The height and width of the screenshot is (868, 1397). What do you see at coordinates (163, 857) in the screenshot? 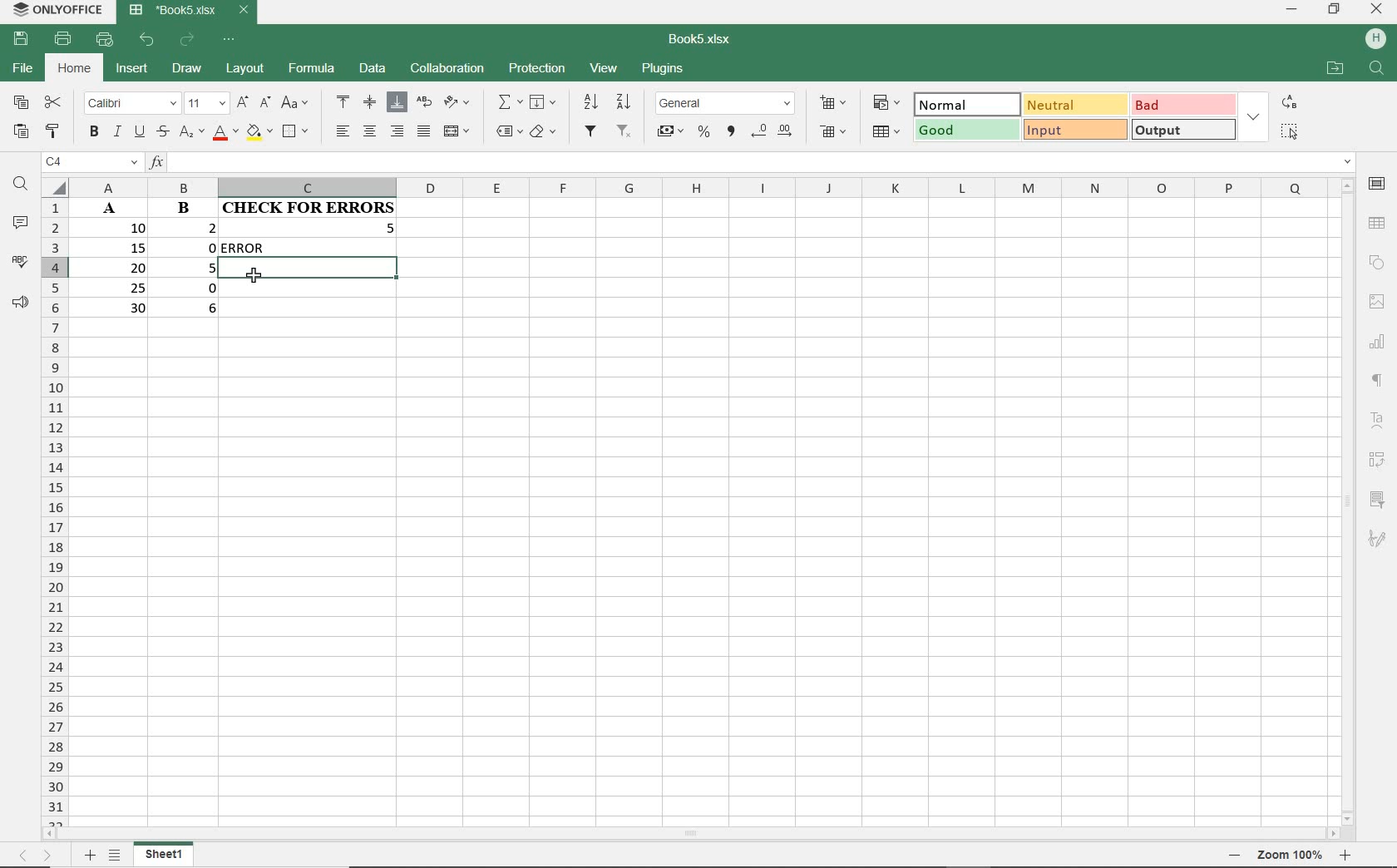
I see `SHEET1` at bounding box center [163, 857].